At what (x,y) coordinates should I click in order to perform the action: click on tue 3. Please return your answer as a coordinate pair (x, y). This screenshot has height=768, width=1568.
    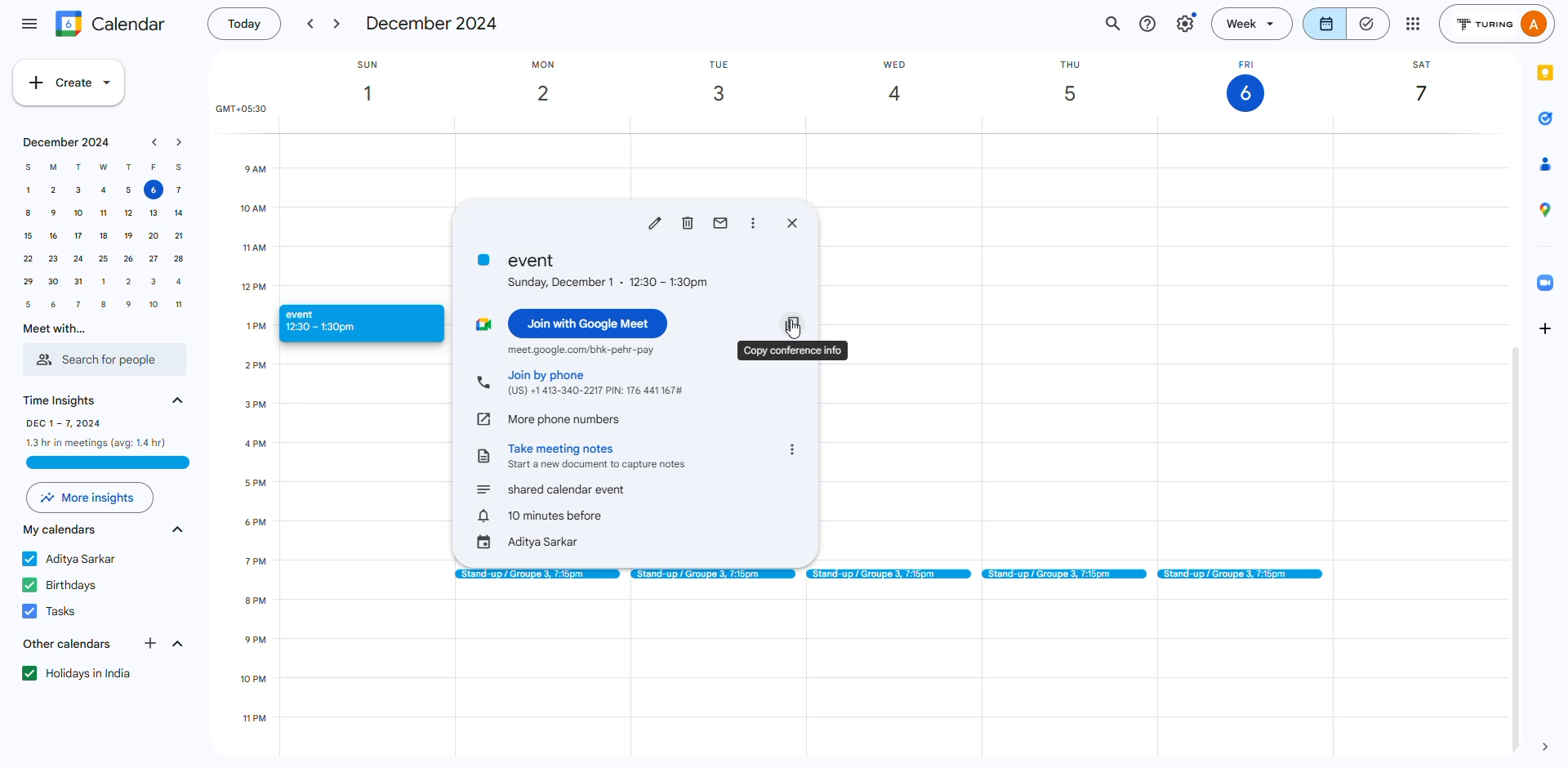
    Looking at the image, I should click on (724, 83).